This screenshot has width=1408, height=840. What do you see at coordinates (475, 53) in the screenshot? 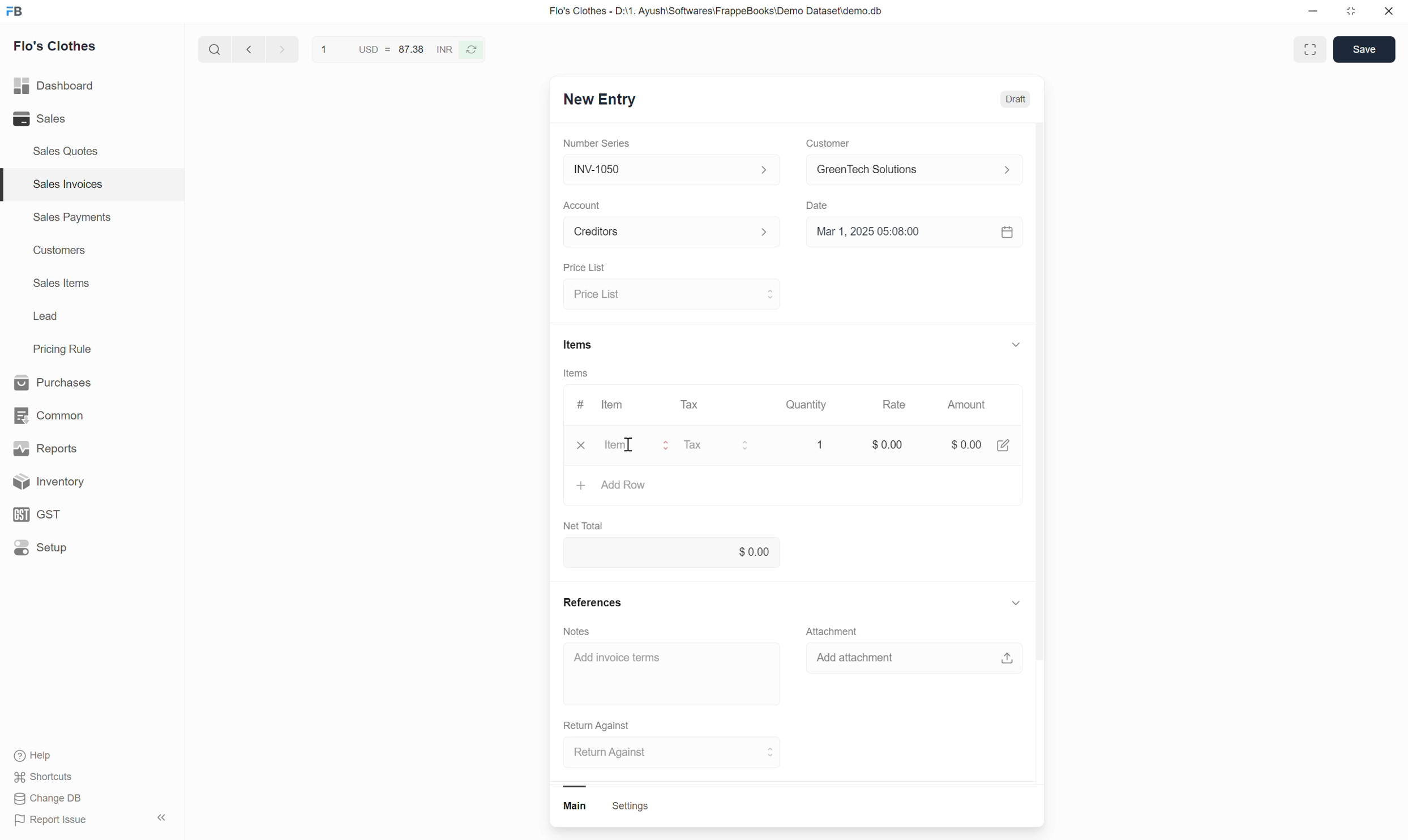
I see `refresh` at bounding box center [475, 53].